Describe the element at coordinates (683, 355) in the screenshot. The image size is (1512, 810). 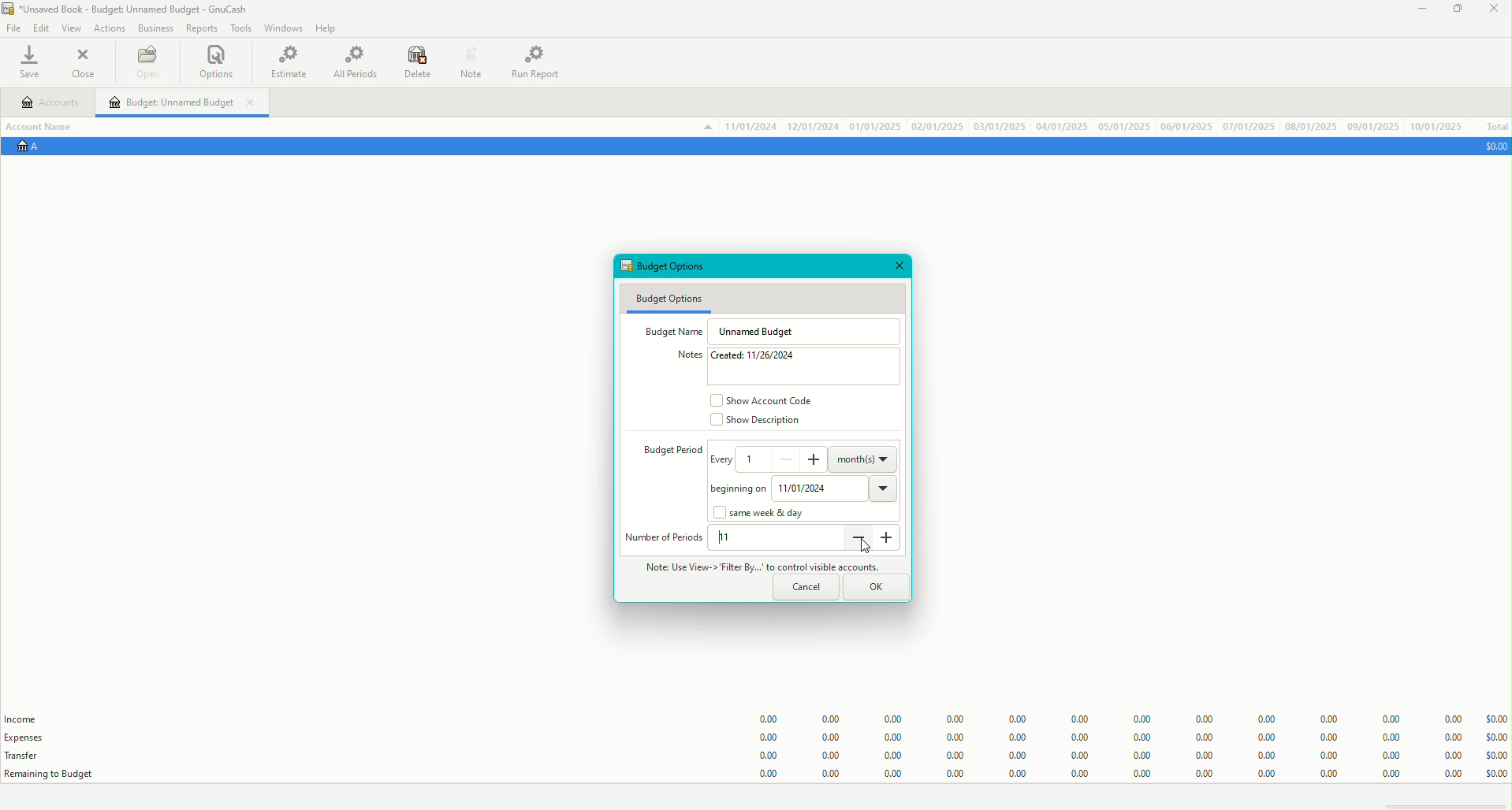
I see `Notes` at that location.